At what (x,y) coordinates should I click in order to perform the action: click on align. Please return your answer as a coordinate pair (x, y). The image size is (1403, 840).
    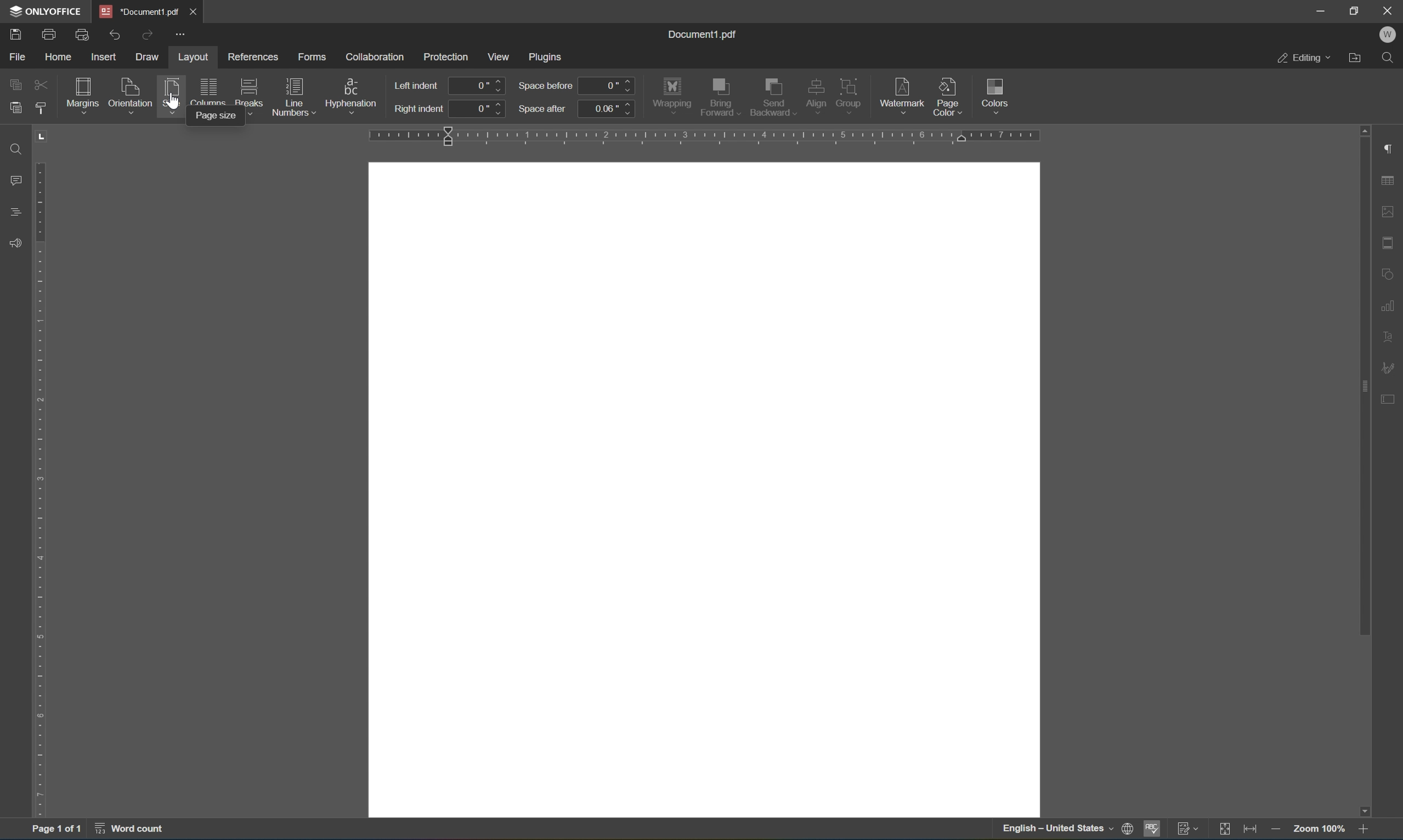
    Looking at the image, I should click on (816, 96).